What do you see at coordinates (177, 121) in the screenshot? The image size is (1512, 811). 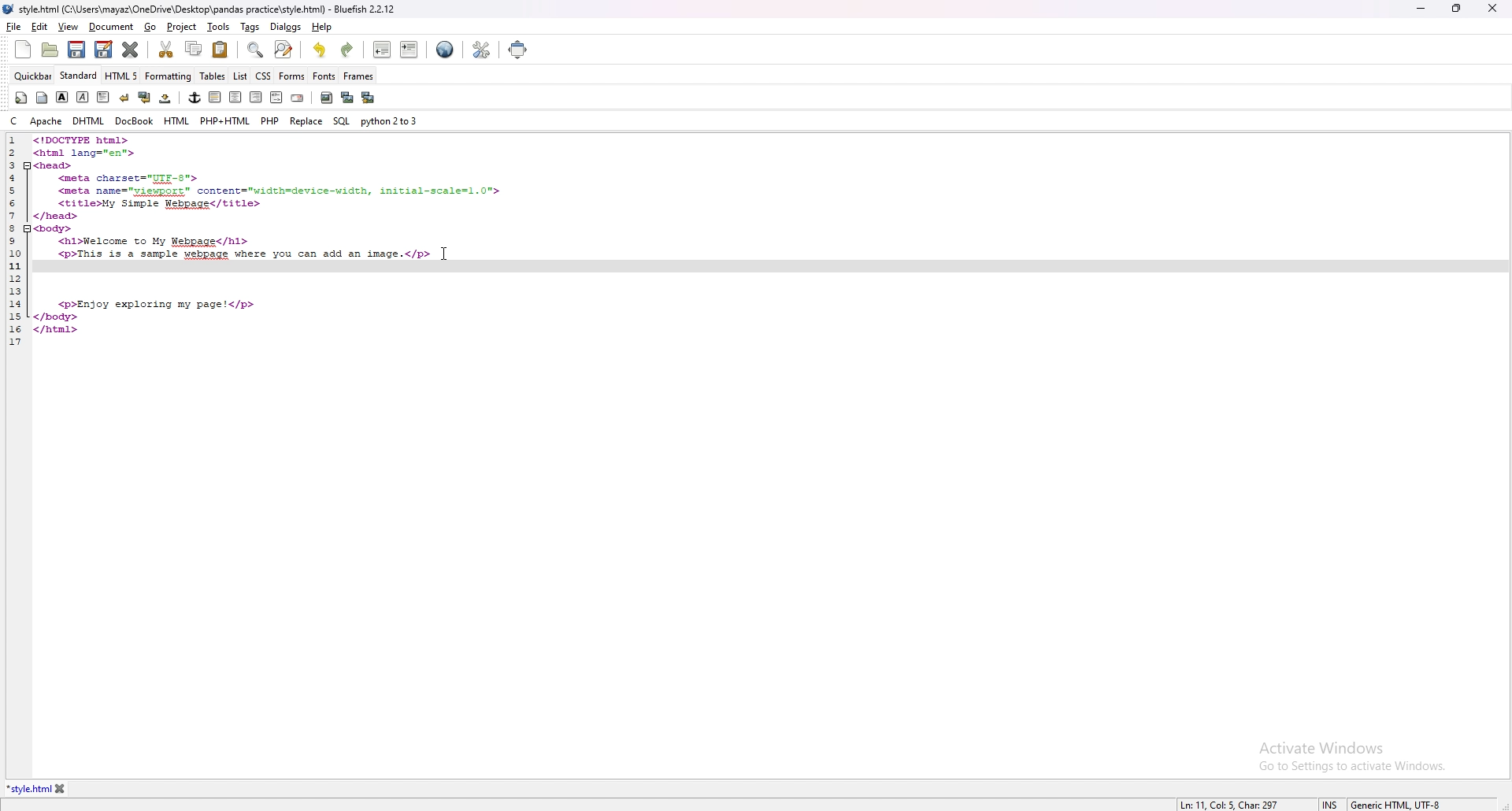 I see `html` at bounding box center [177, 121].